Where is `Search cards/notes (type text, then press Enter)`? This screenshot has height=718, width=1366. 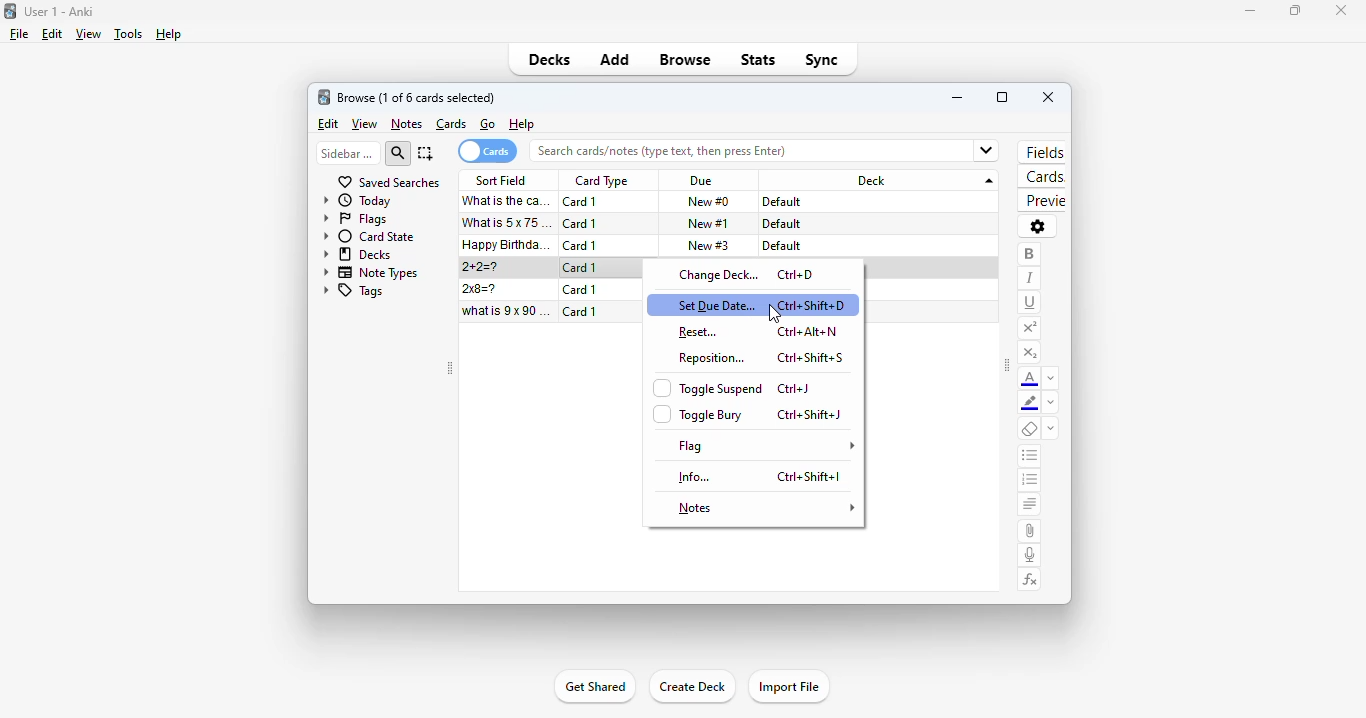
Search cards/notes (type text, then press Enter) is located at coordinates (772, 152).